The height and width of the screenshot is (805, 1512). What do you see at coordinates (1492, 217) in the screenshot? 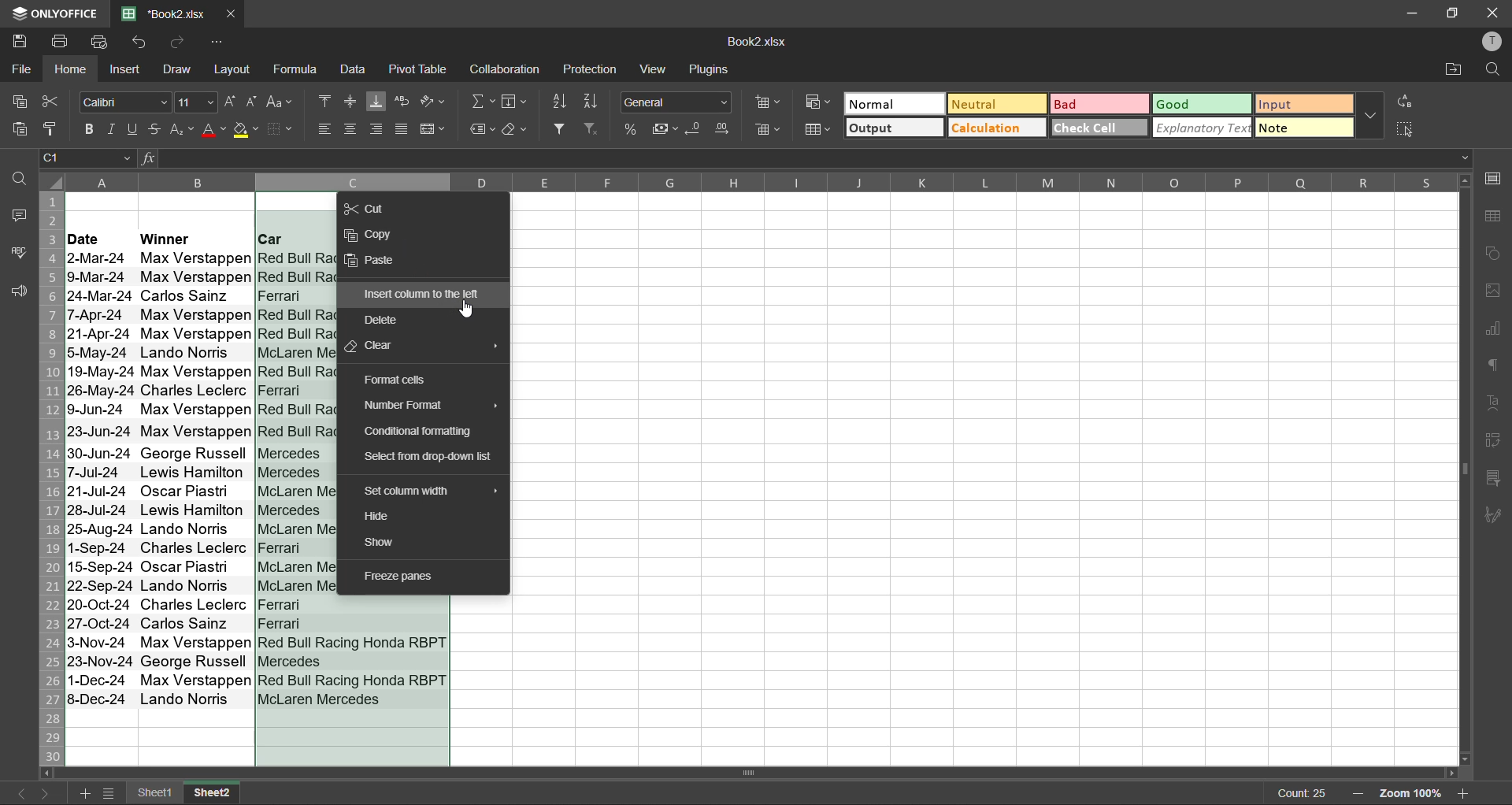
I see `table` at bounding box center [1492, 217].